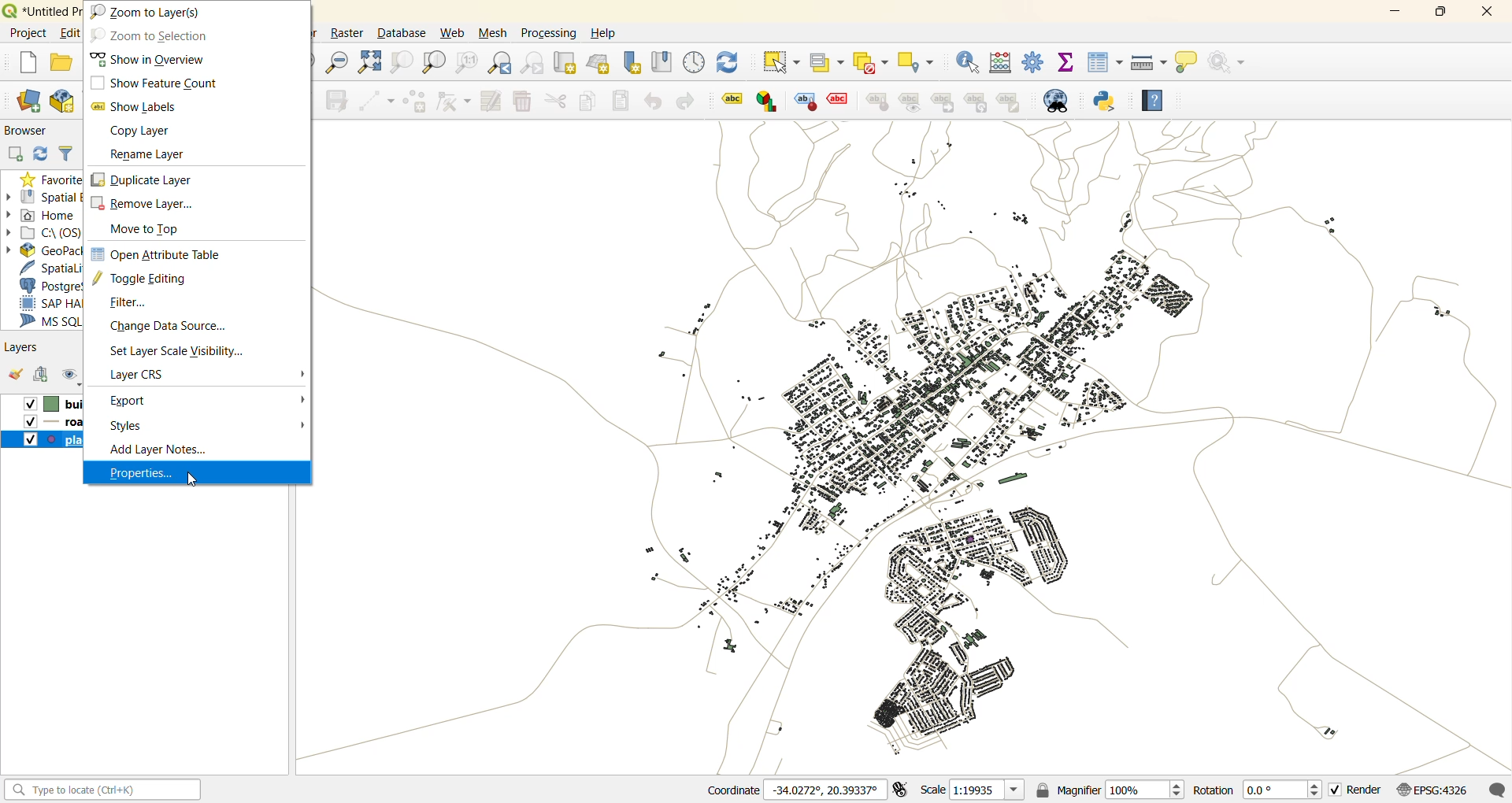 This screenshot has height=803, width=1512. I want to click on filter , so click(130, 304).